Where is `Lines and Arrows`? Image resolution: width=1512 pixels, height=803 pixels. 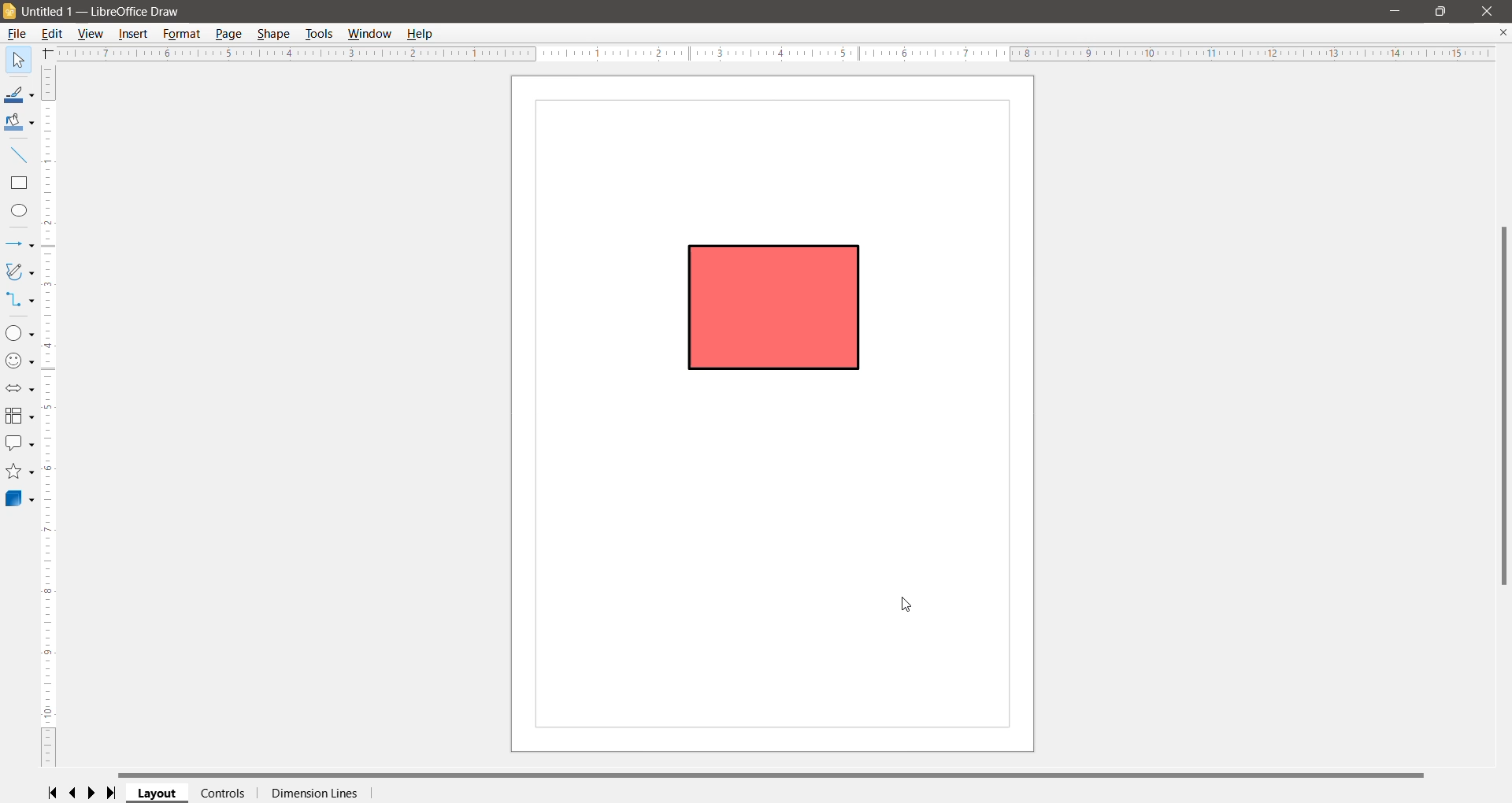 Lines and Arrows is located at coordinates (20, 245).